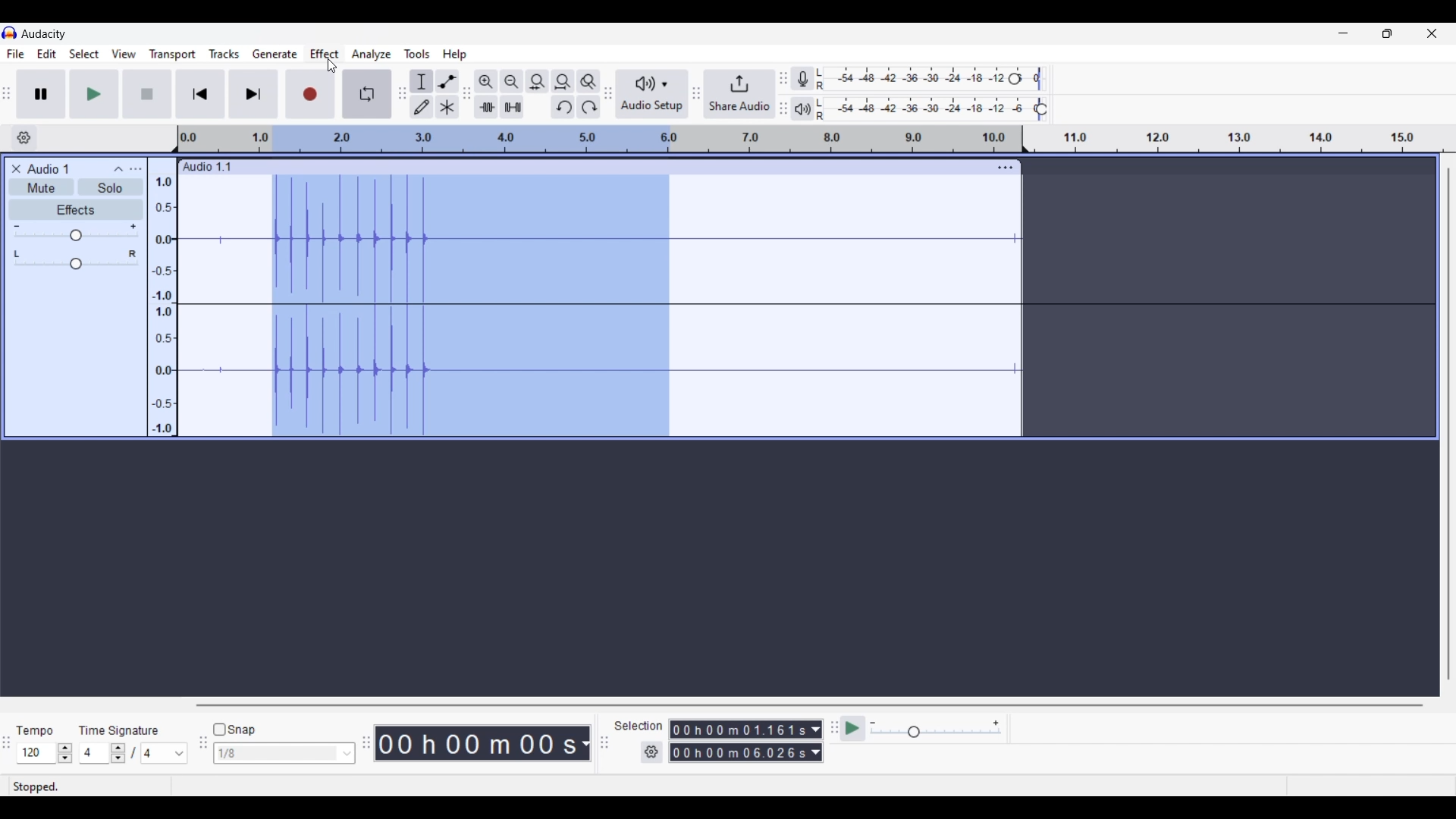 The height and width of the screenshot is (819, 1456). I want to click on Stop, so click(148, 94).